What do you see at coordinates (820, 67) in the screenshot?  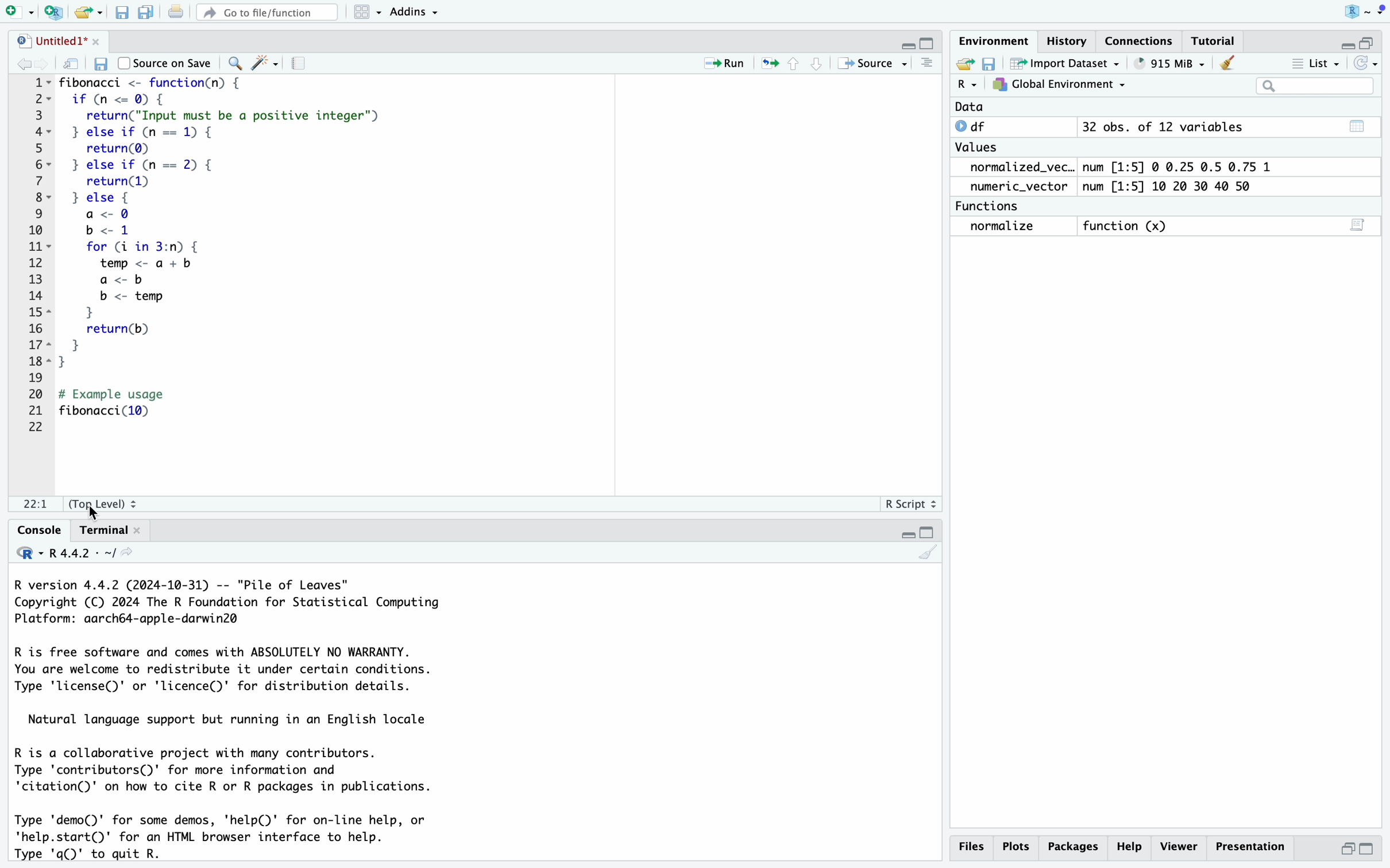 I see `go to next section/chunk` at bounding box center [820, 67].